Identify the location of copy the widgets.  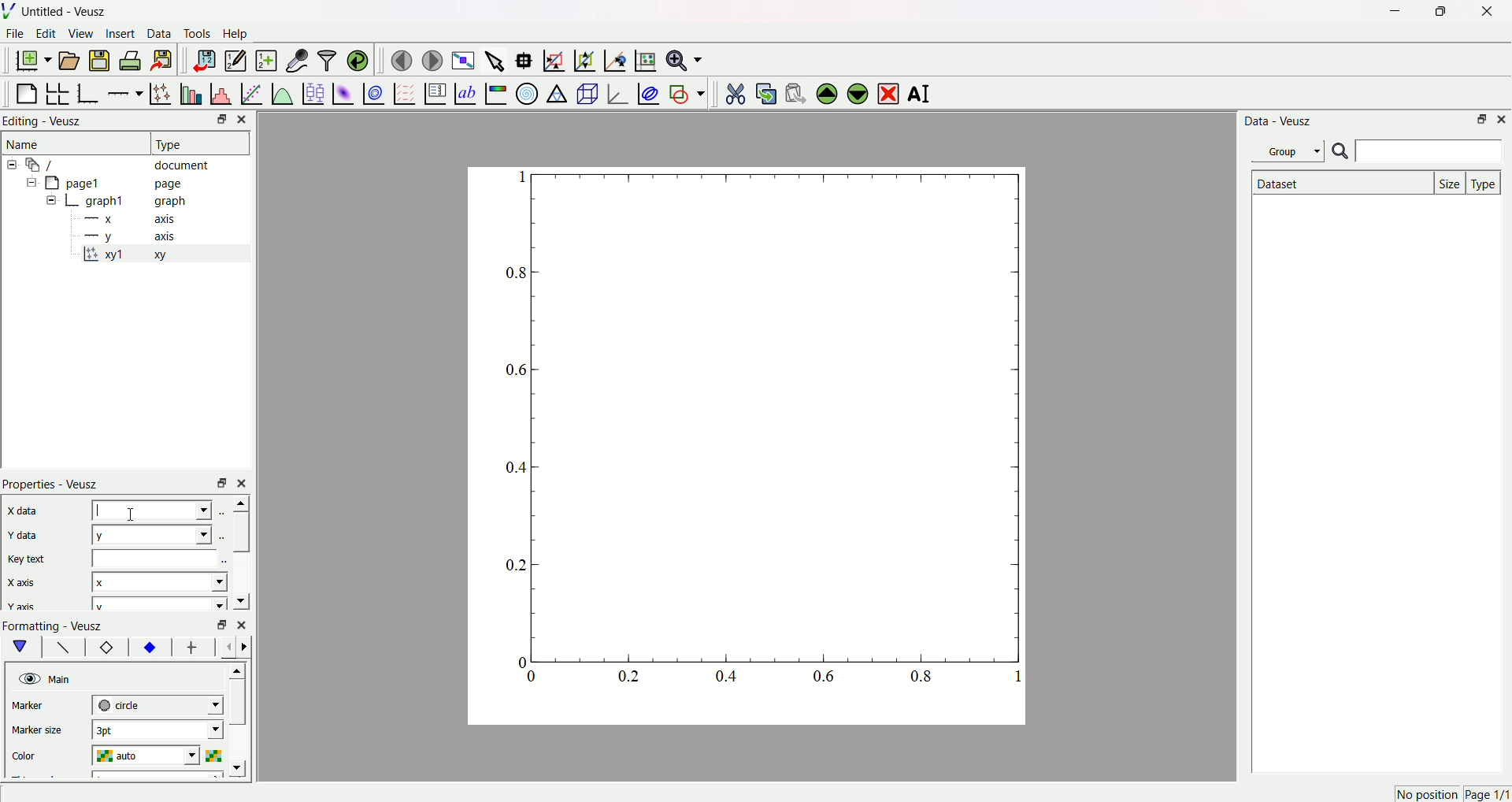
(765, 91).